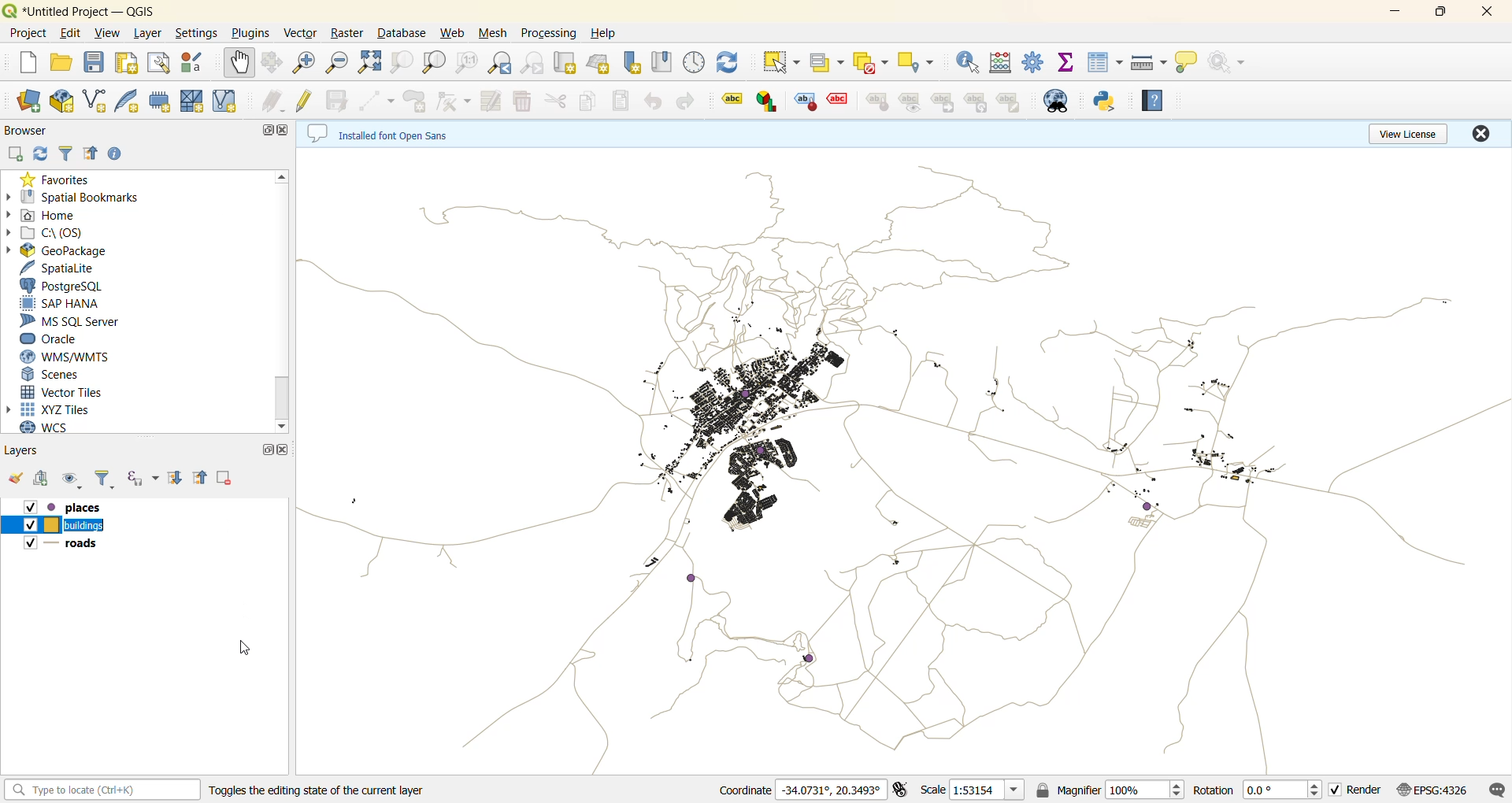 The image size is (1512, 803). Describe the element at coordinates (54, 428) in the screenshot. I see `wcs` at that location.